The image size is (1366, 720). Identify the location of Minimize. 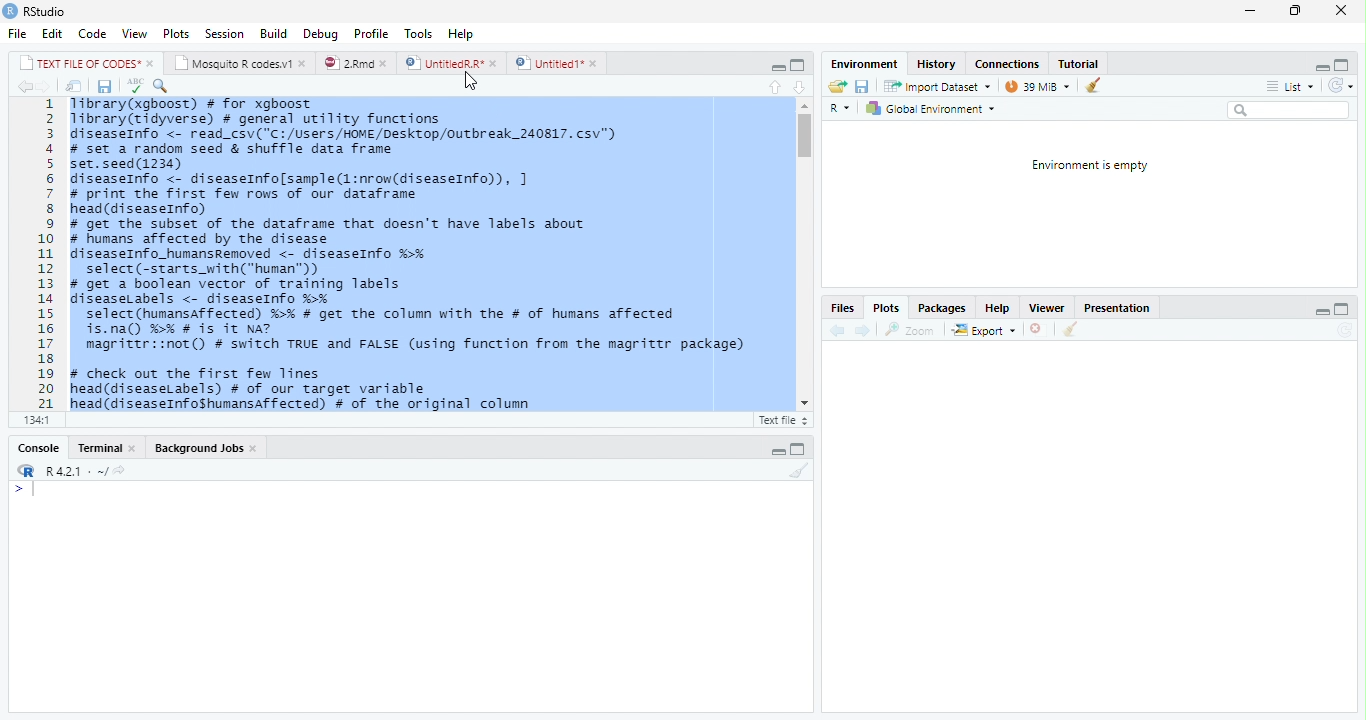
(1249, 11).